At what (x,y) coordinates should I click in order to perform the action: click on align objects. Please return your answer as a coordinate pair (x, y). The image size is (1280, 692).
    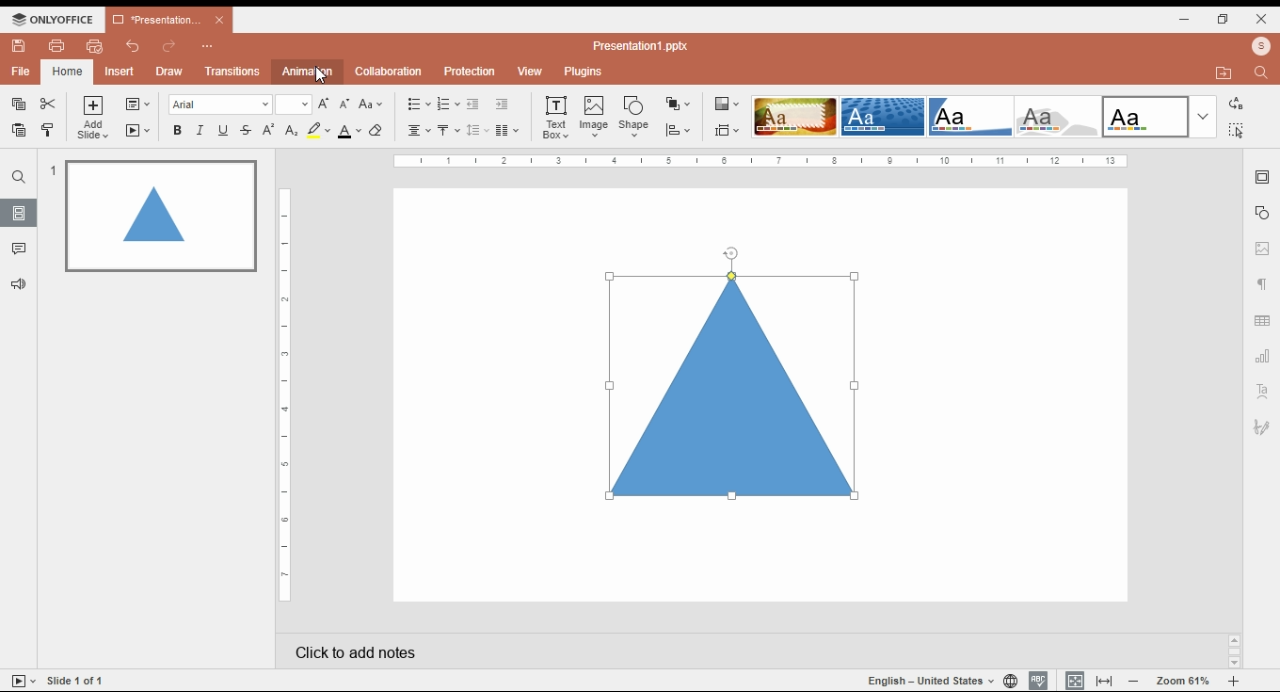
    Looking at the image, I should click on (679, 132).